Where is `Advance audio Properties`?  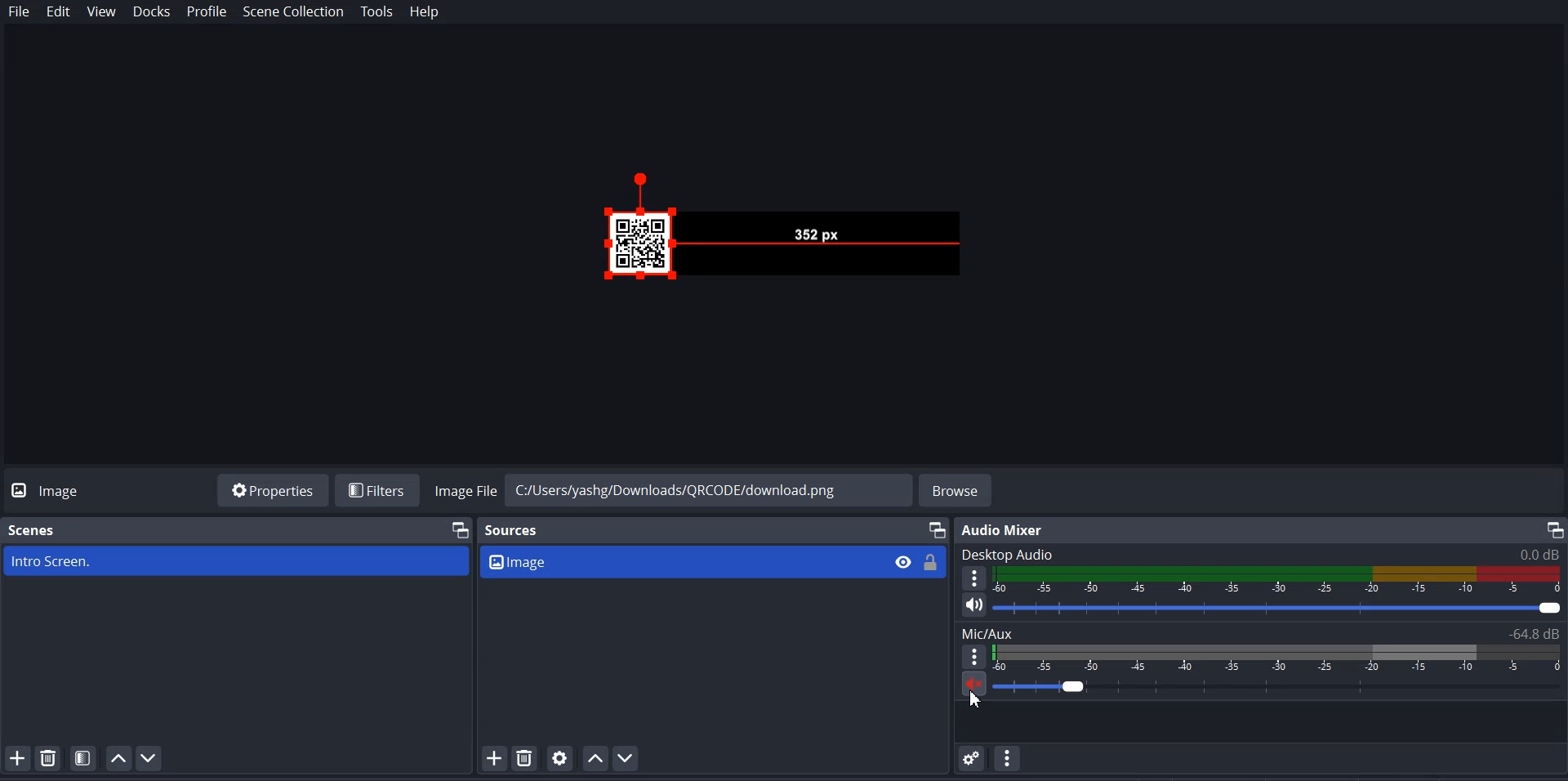
Advance audio Properties is located at coordinates (973, 757).